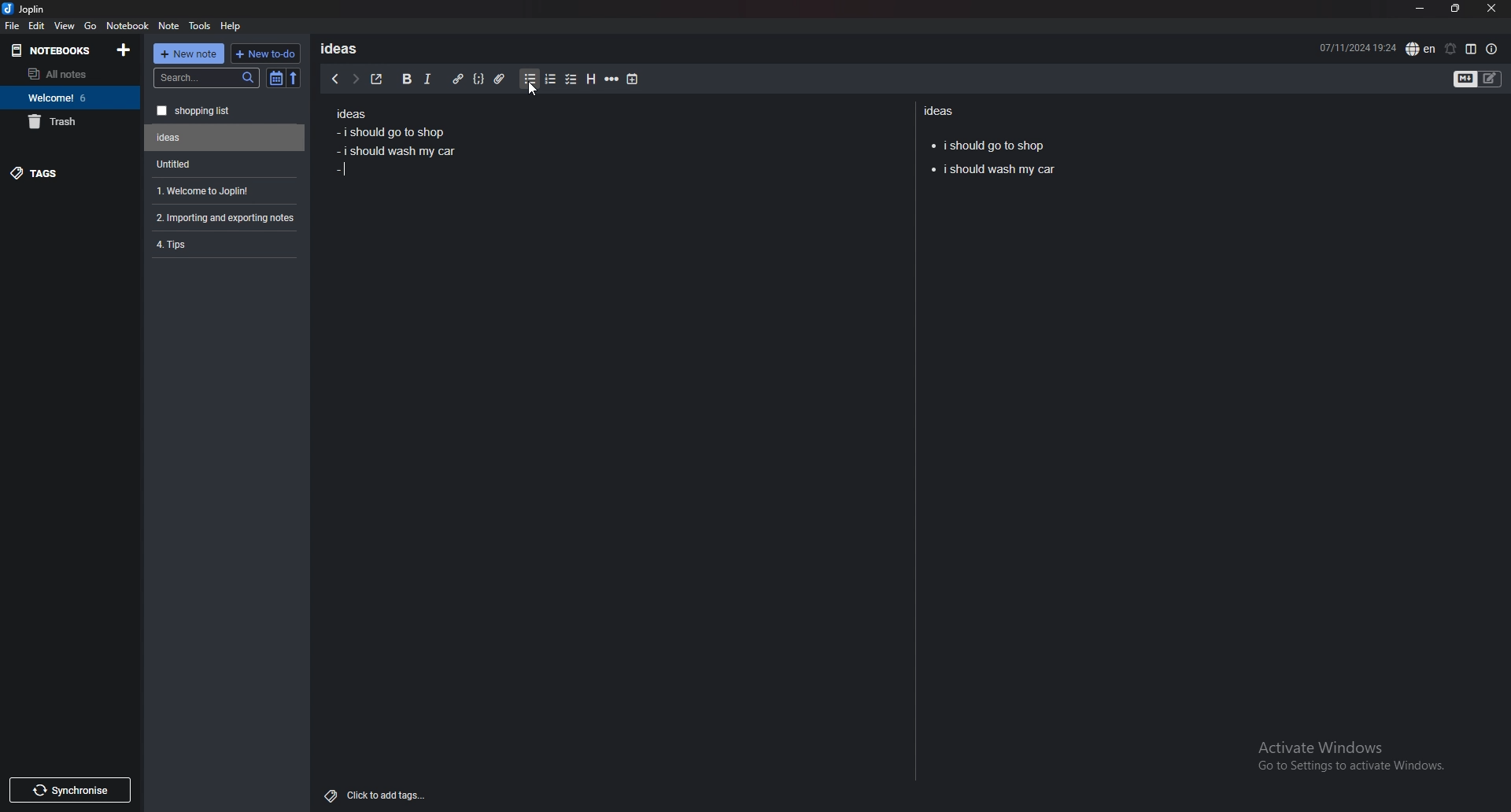  Describe the element at coordinates (36, 26) in the screenshot. I see `edit` at that location.